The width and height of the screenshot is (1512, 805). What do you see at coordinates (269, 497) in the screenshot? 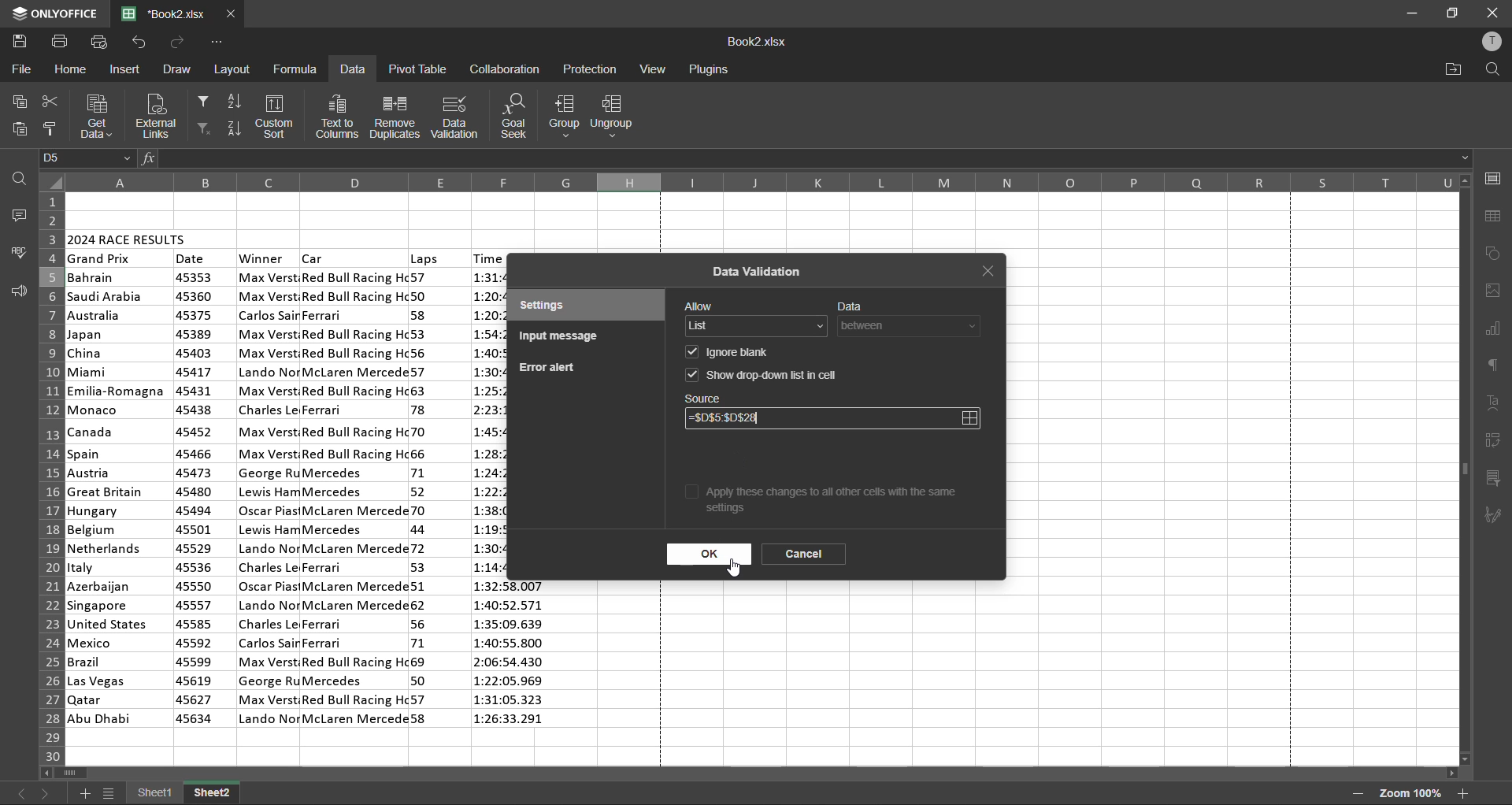
I see `winner` at bounding box center [269, 497].